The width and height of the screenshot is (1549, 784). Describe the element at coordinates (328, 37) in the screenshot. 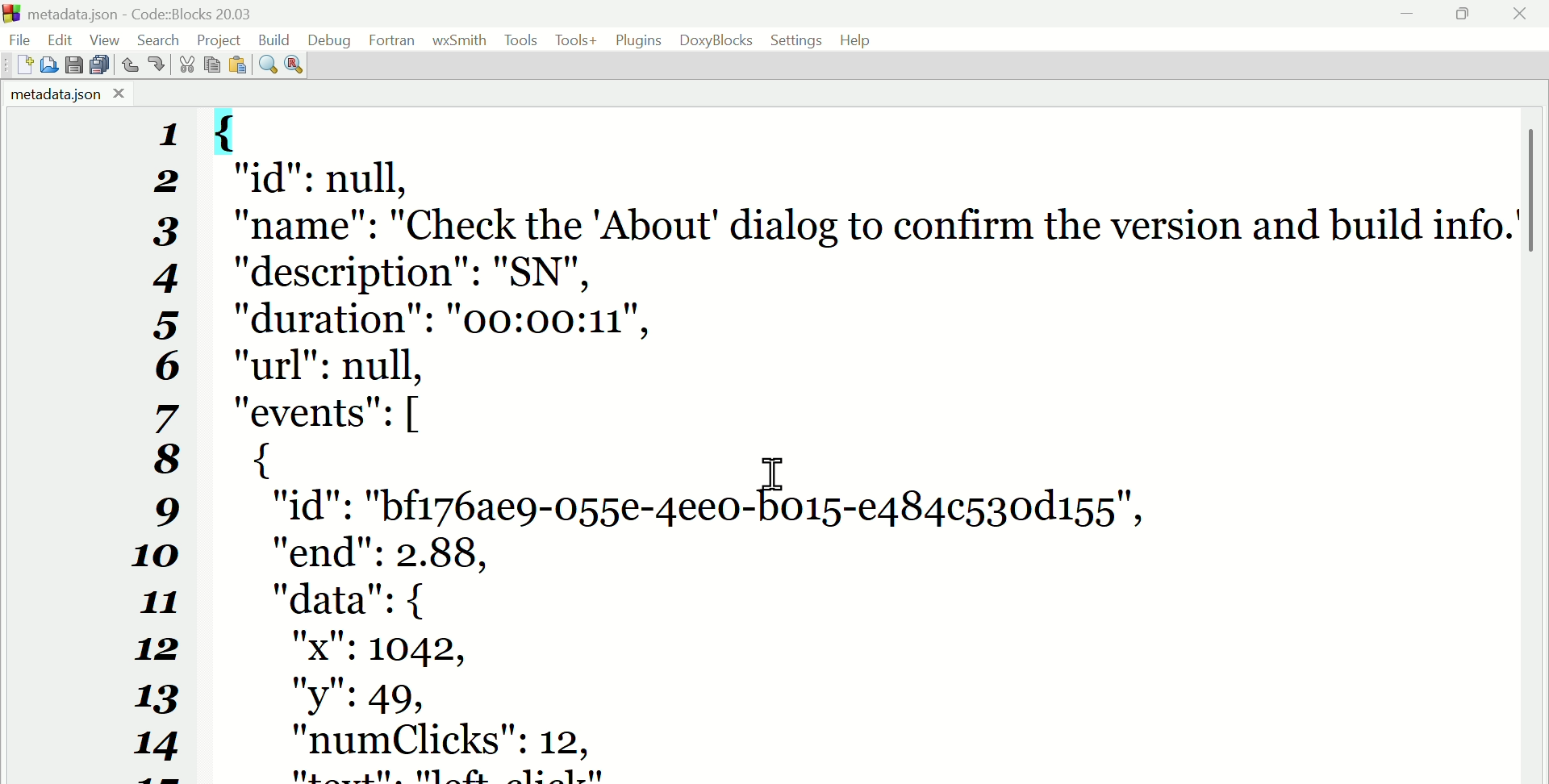

I see `Debug` at that location.